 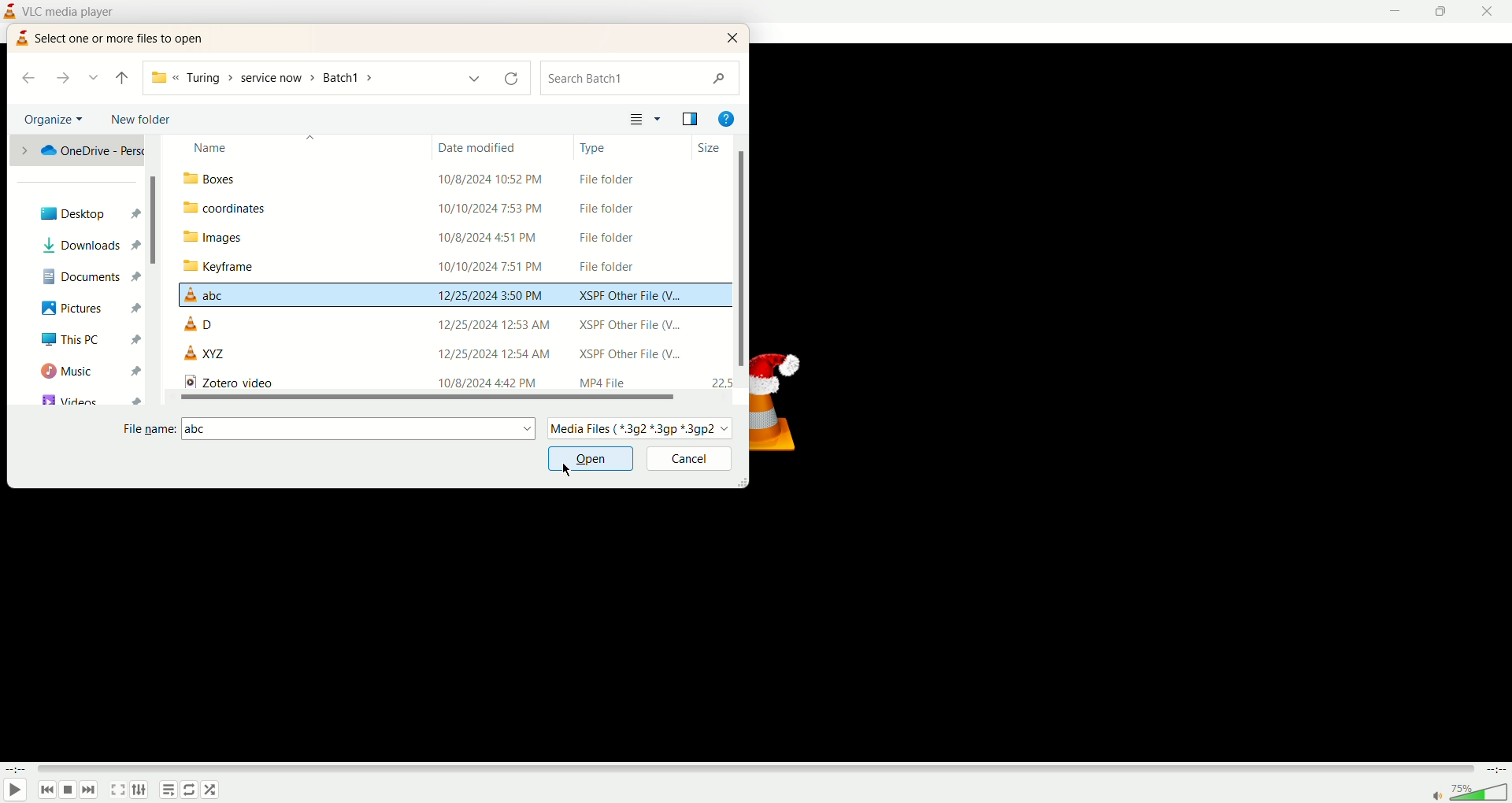 I want to click on time left, so click(x=1494, y=769).